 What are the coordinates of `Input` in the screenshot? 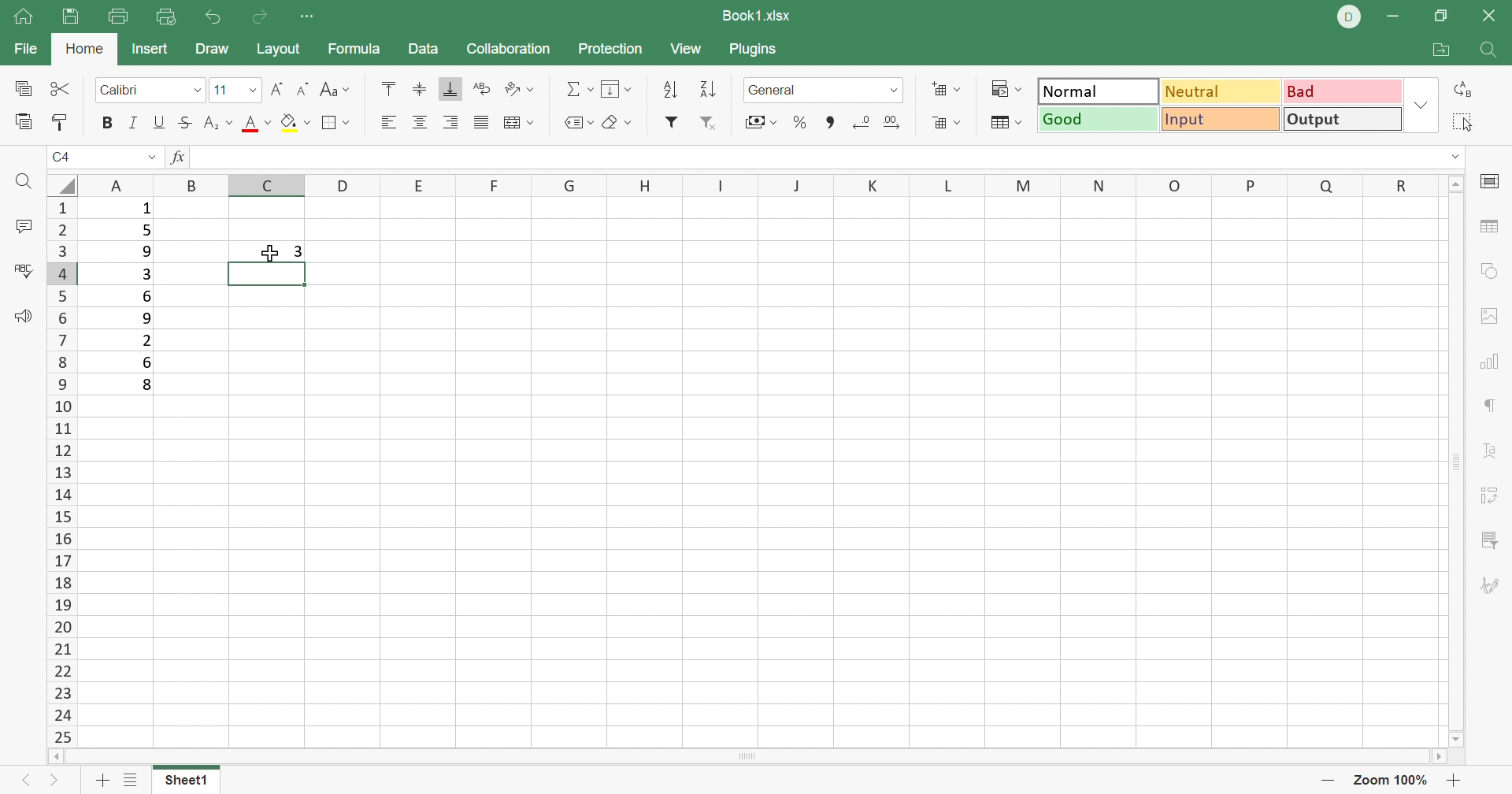 It's located at (1221, 118).